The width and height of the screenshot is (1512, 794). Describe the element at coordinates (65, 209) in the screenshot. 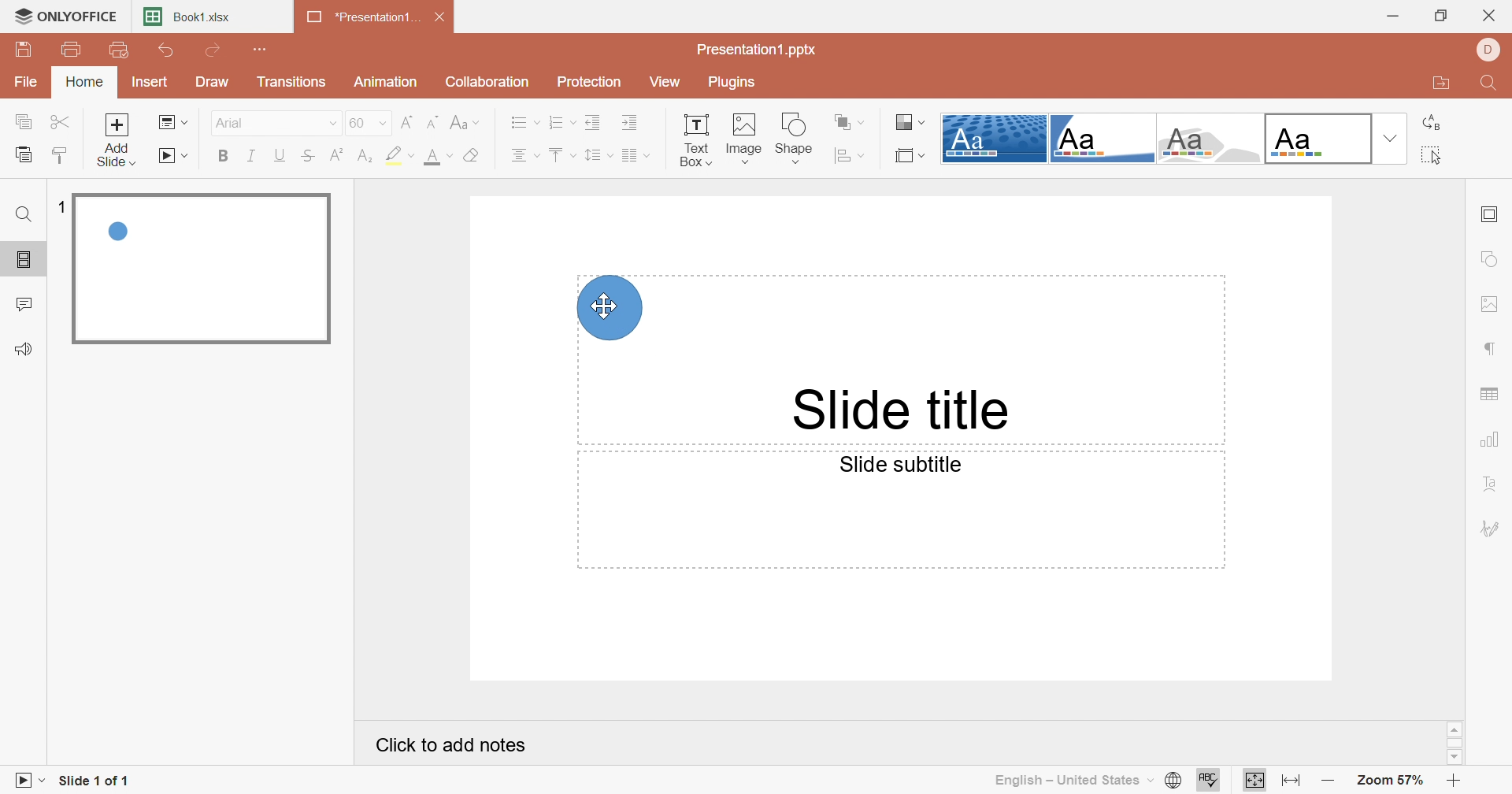

I see `1` at that location.